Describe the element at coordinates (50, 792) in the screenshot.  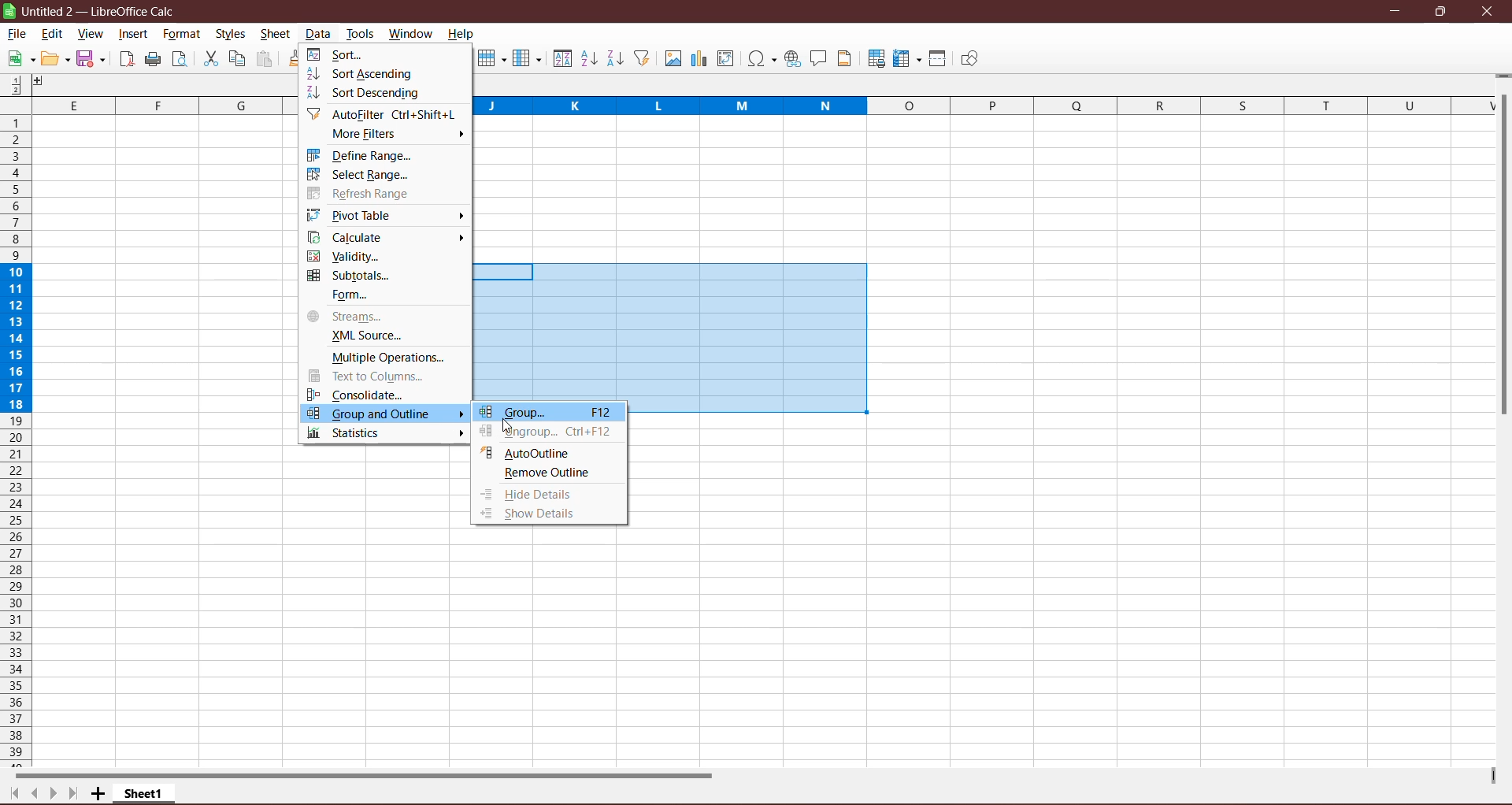
I see `Scroll to next page` at that location.